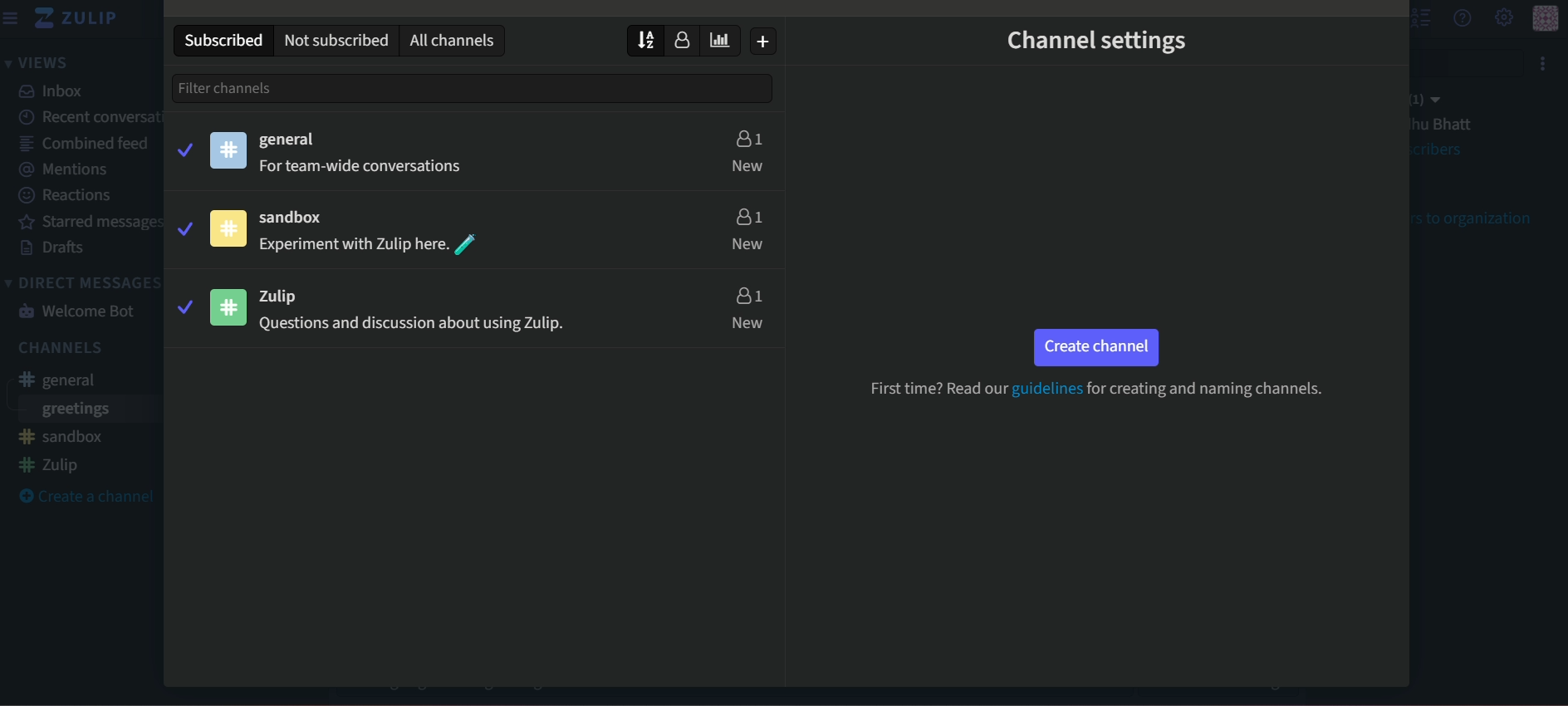 The width and height of the screenshot is (1568, 706). Describe the element at coordinates (252, 88) in the screenshot. I see `Filter Channels` at that location.